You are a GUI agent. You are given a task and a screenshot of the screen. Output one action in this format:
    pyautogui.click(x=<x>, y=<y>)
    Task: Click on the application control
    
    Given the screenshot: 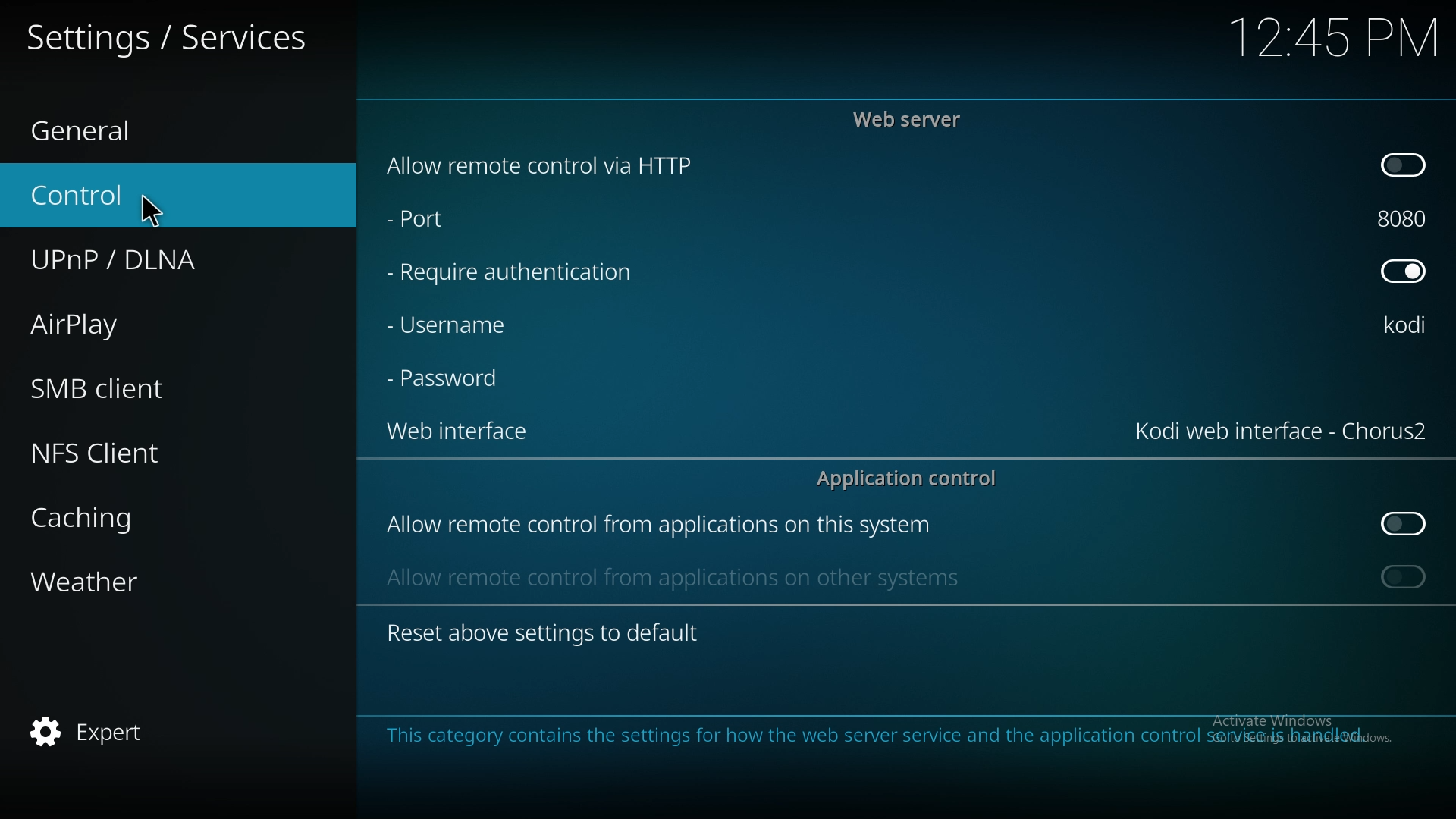 What is the action you would take?
    pyautogui.click(x=915, y=478)
    